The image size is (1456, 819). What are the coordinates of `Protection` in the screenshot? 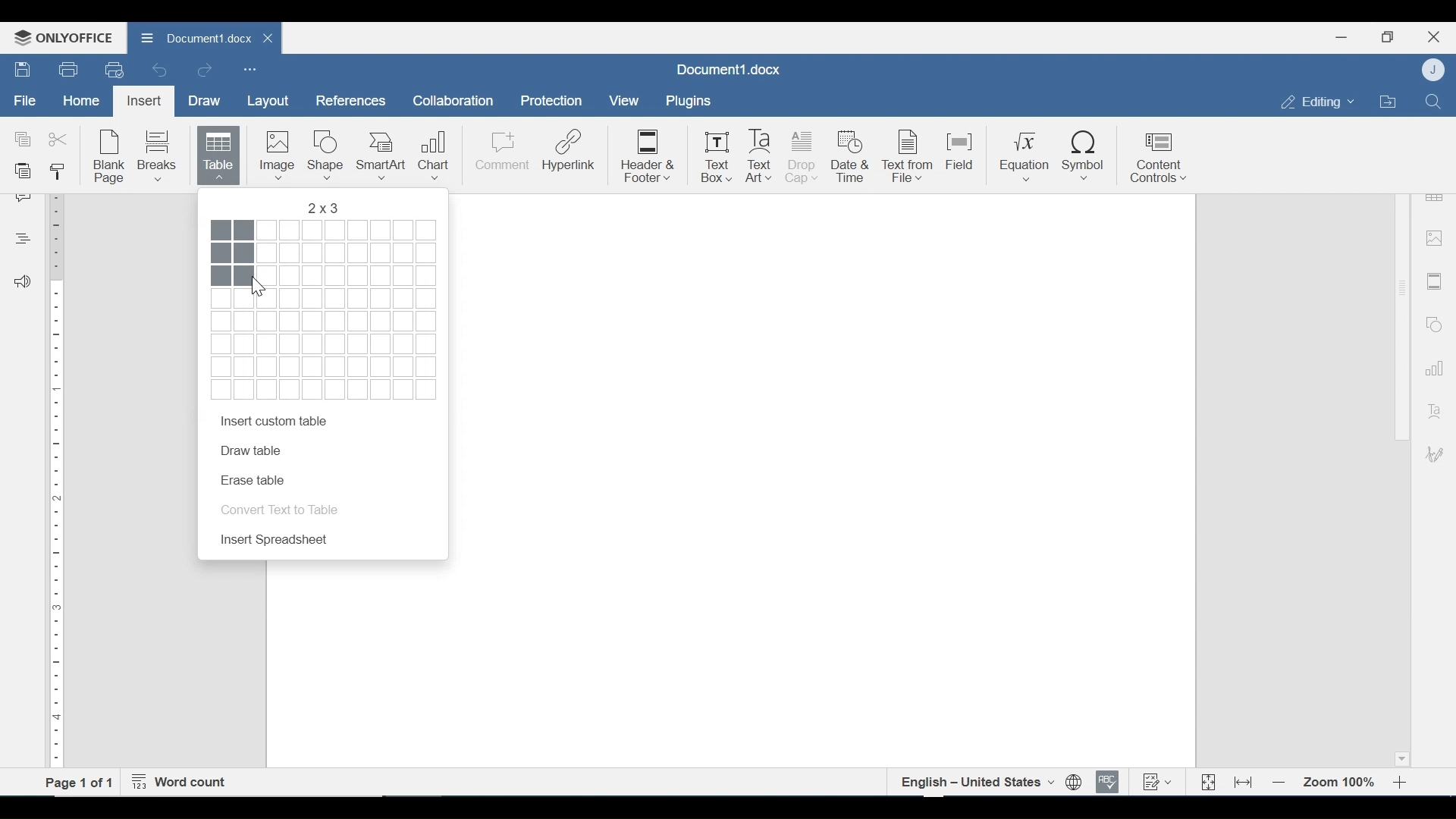 It's located at (551, 102).